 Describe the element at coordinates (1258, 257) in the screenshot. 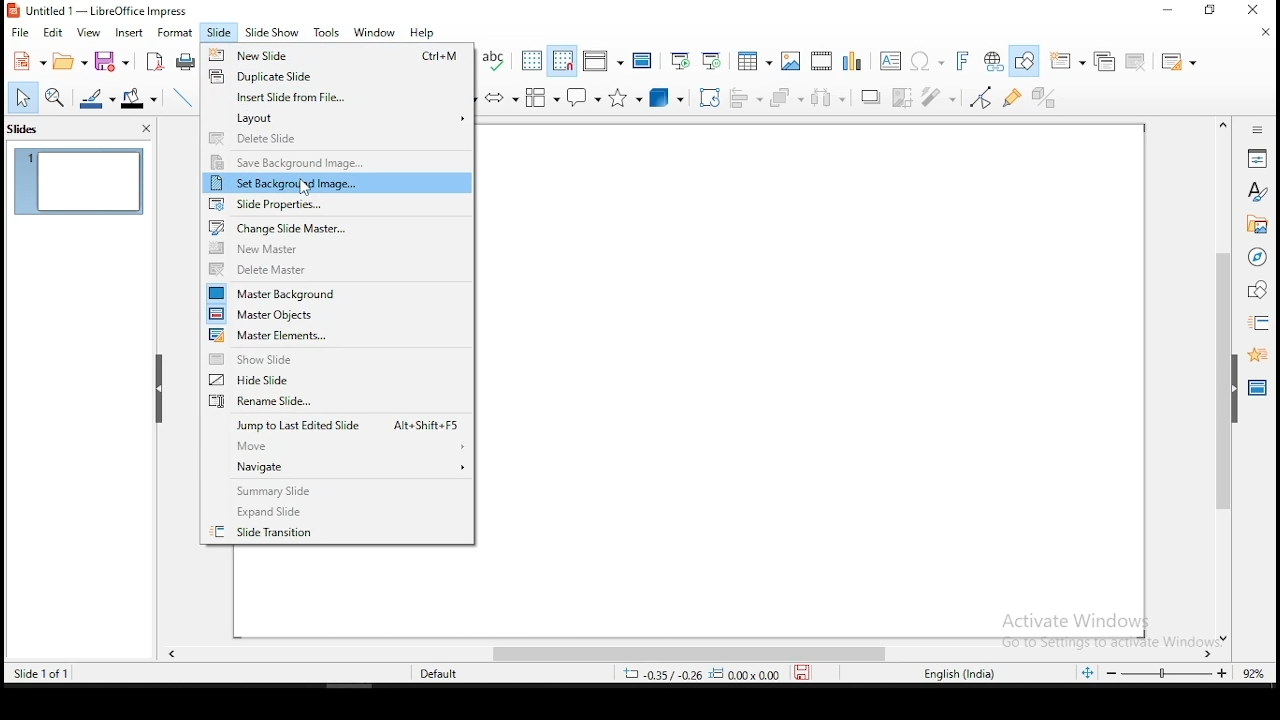

I see `navigator` at that location.